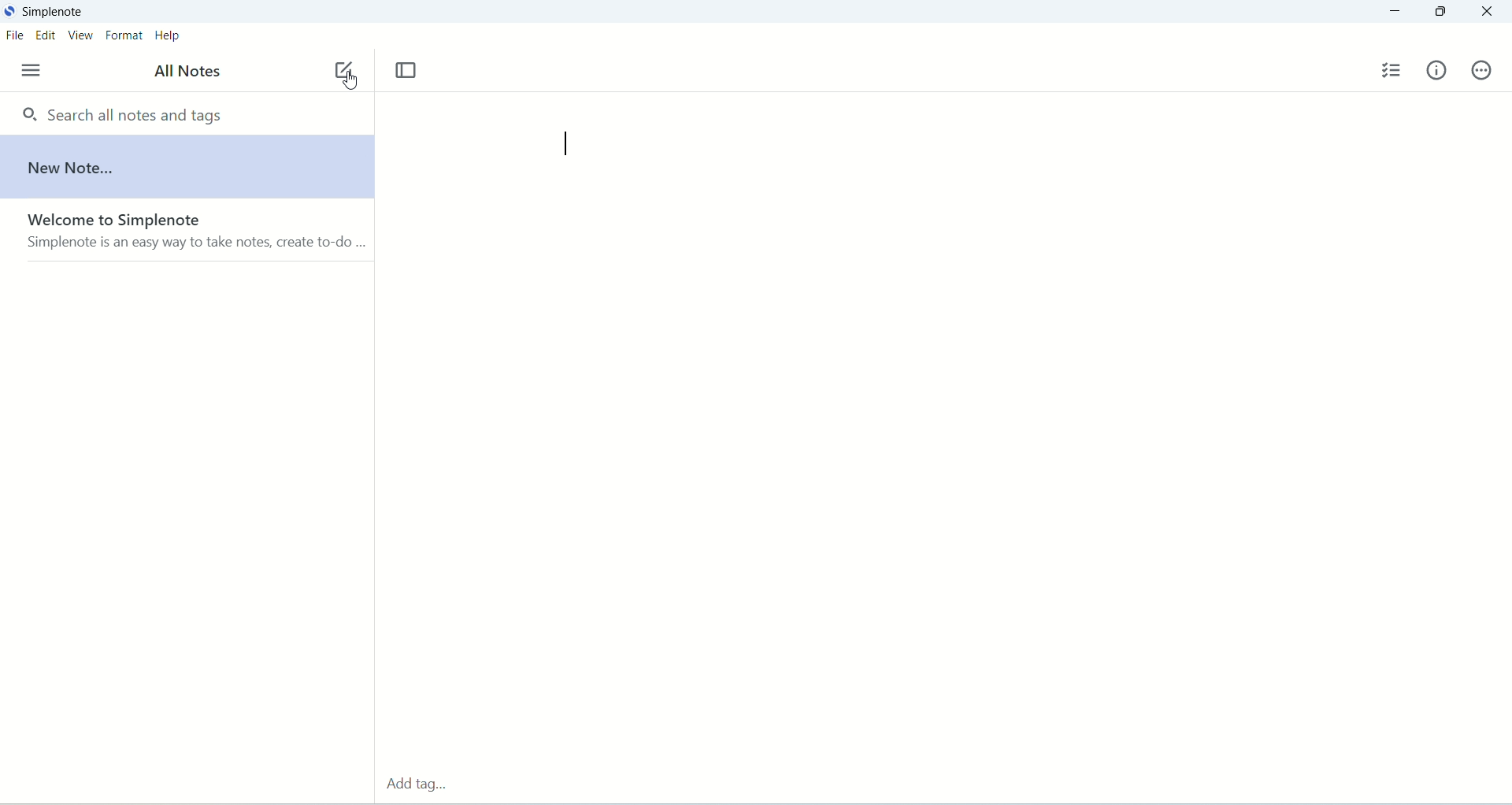 The image size is (1512, 805). What do you see at coordinates (125, 35) in the screenshot?
I see `format` at bounding box center [125, 35].